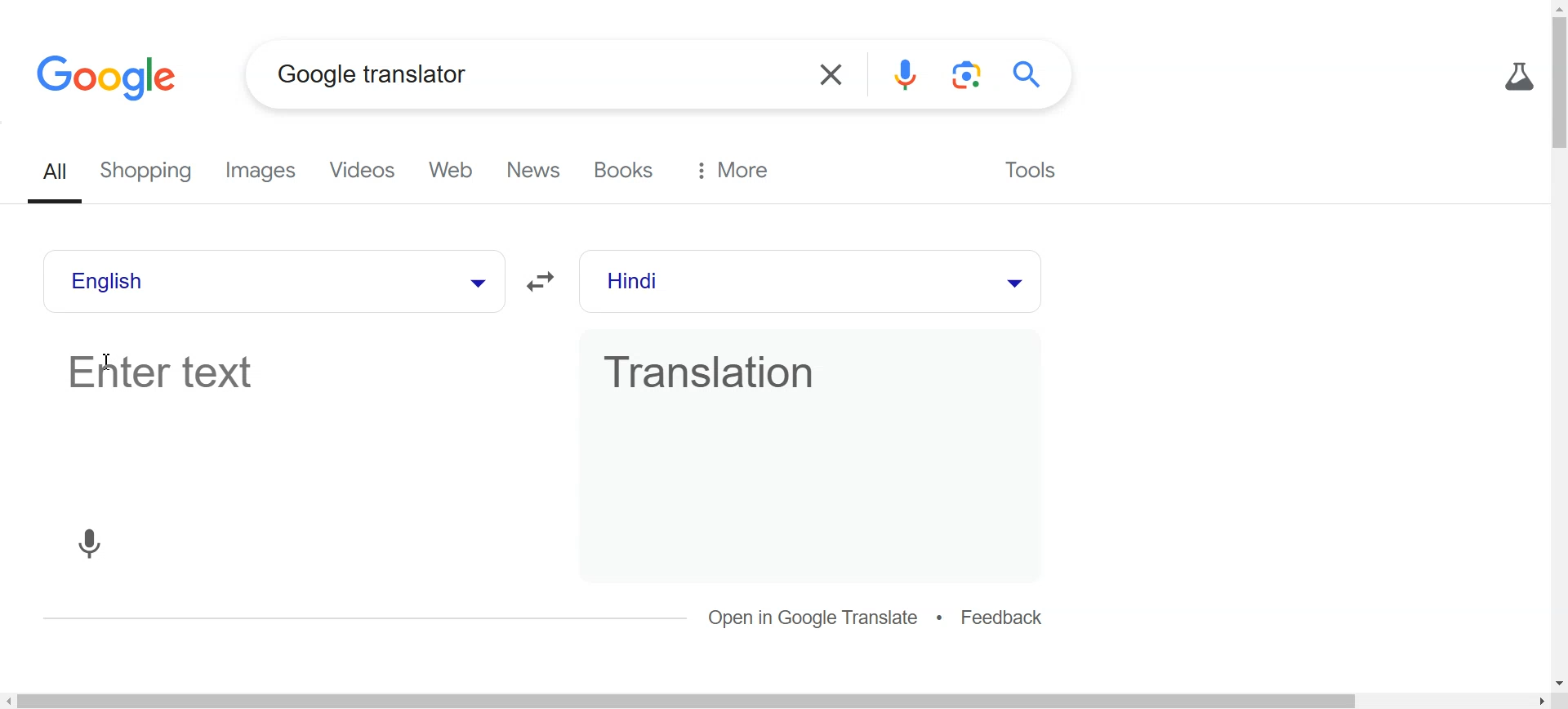 The width and height of the screenshot is (1568, 709). Describe the element at coordinates (112, 362) in the screenshot. I see `Text Cursor` at that location.